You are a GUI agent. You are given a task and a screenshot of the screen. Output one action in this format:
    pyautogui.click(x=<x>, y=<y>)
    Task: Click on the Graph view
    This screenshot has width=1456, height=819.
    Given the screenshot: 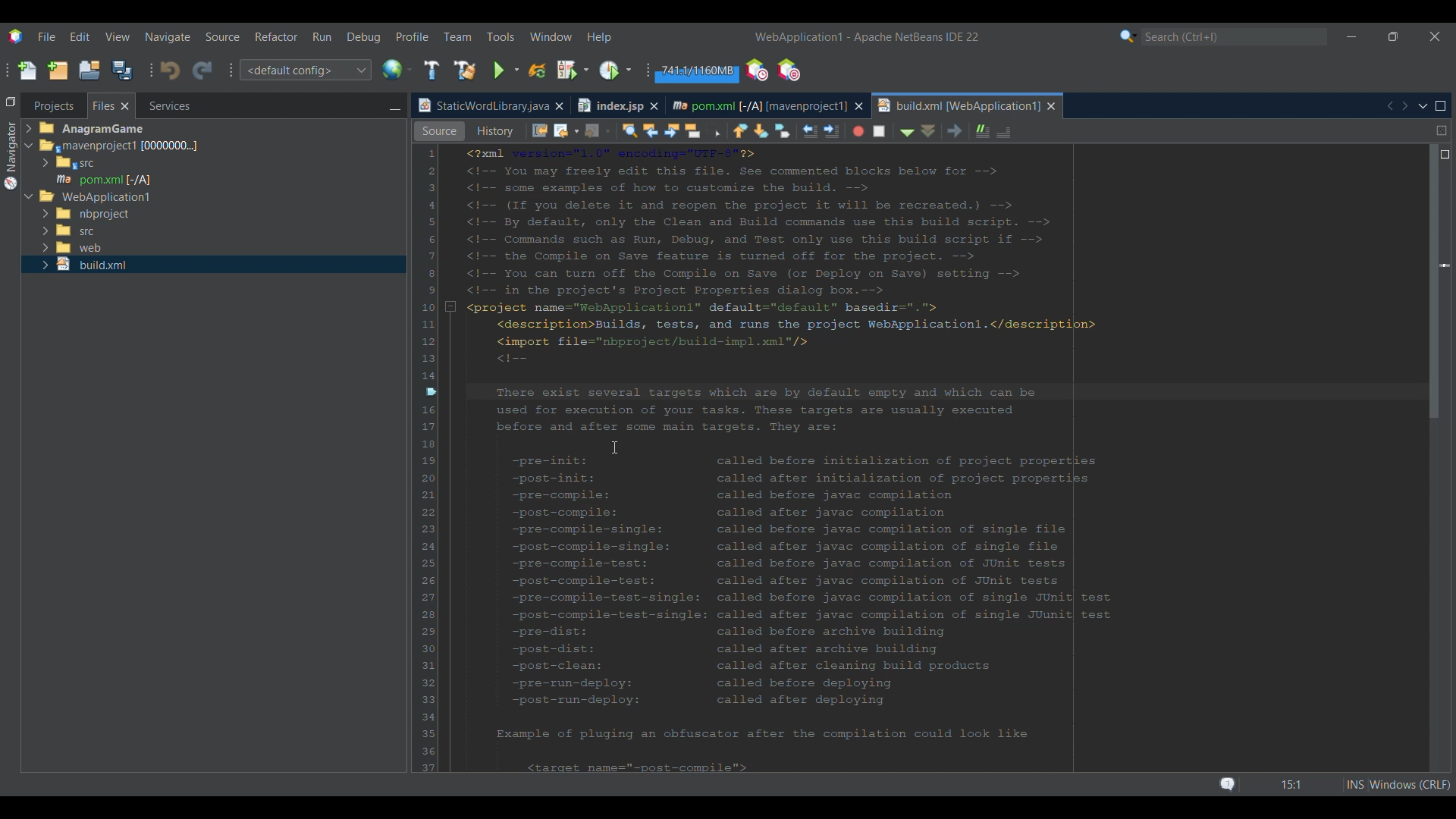 What is the action you would take?
    pyautogui.click(x=503, y=131)
    